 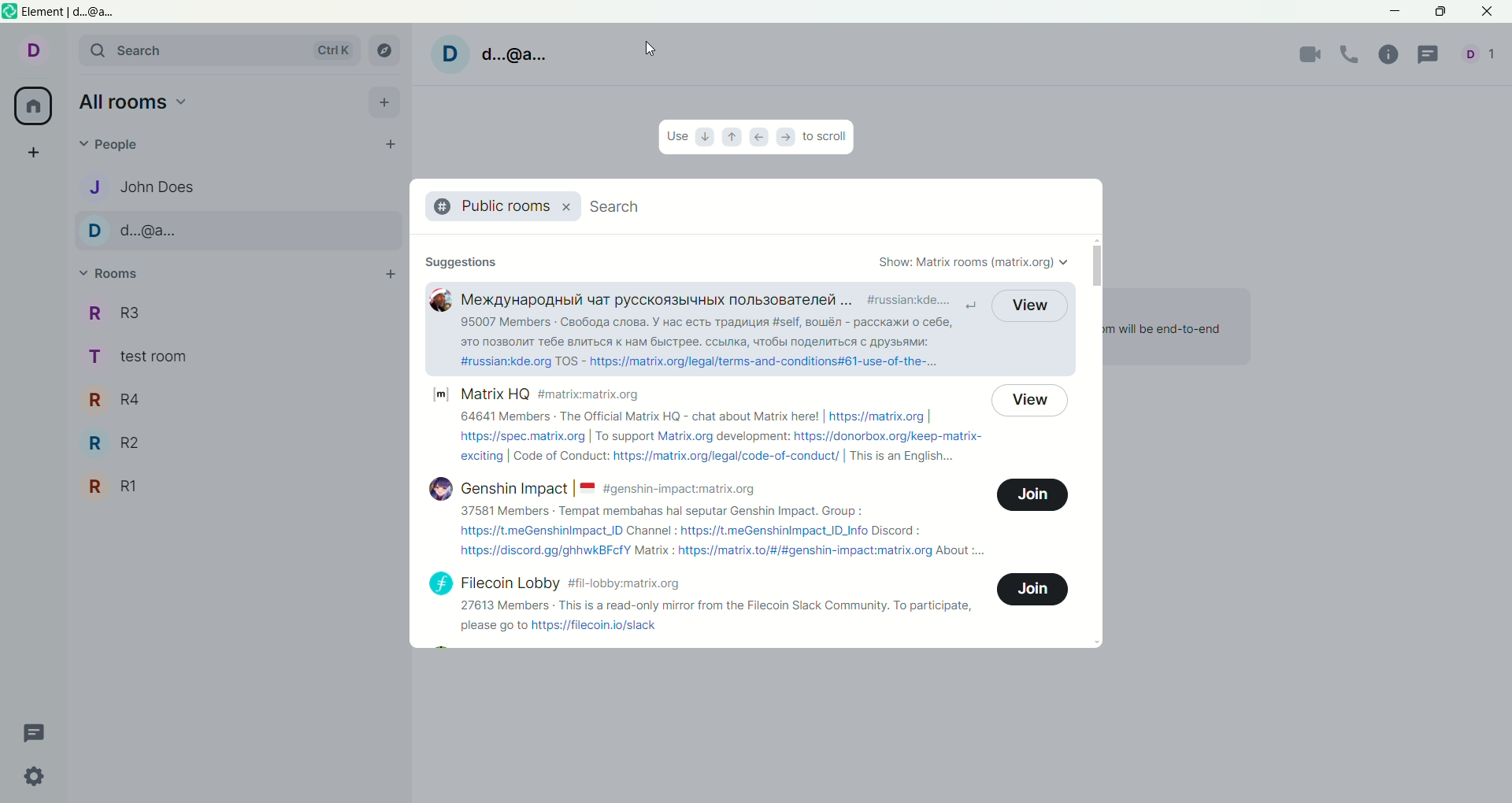 I want to click on R2 , so click(x=238, y=442).